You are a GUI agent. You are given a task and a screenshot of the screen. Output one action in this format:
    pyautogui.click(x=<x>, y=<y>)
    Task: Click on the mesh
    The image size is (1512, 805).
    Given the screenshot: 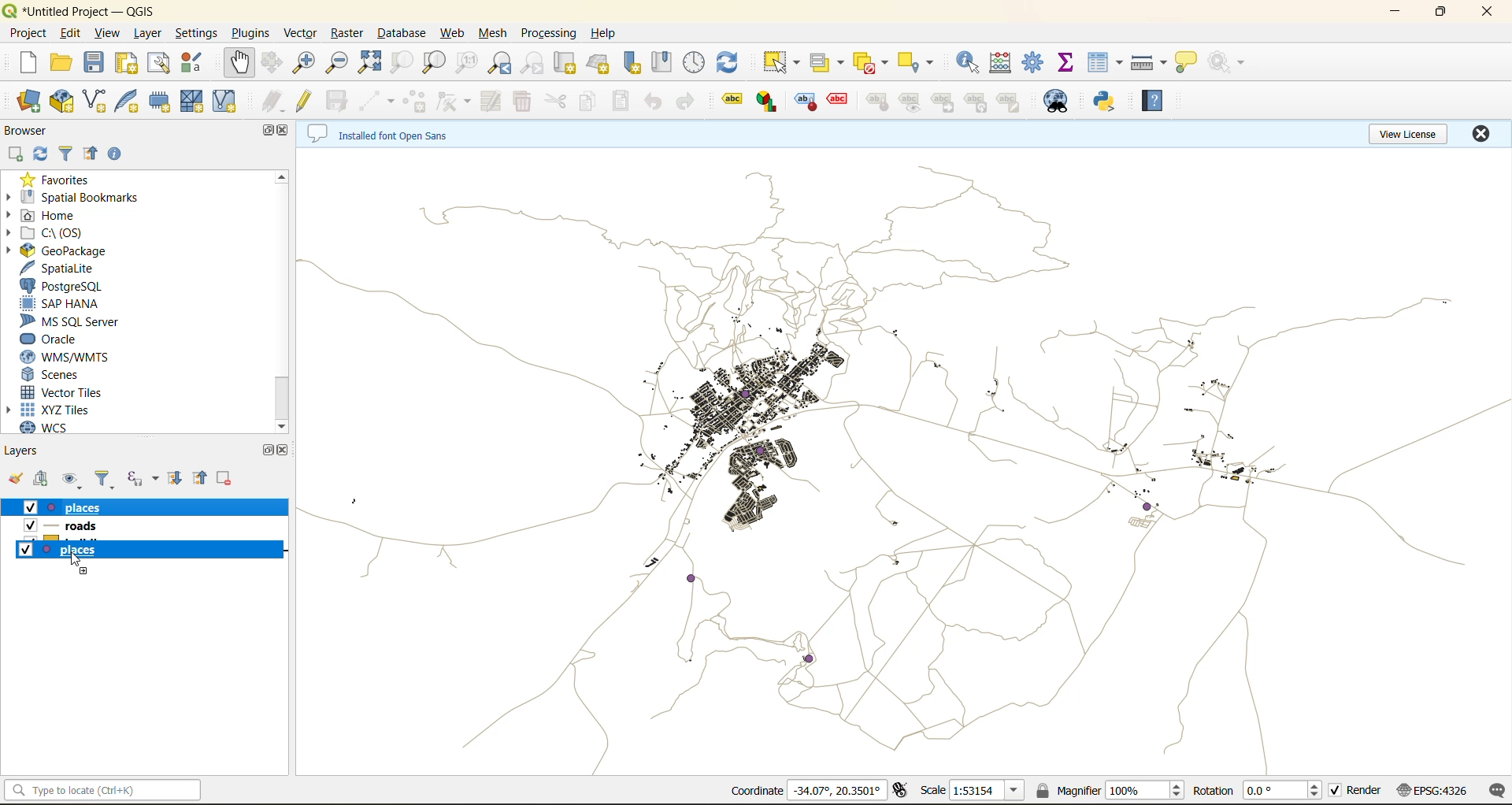 What is the action you would take?
    pyautogui.click(x=490, y=34)
    